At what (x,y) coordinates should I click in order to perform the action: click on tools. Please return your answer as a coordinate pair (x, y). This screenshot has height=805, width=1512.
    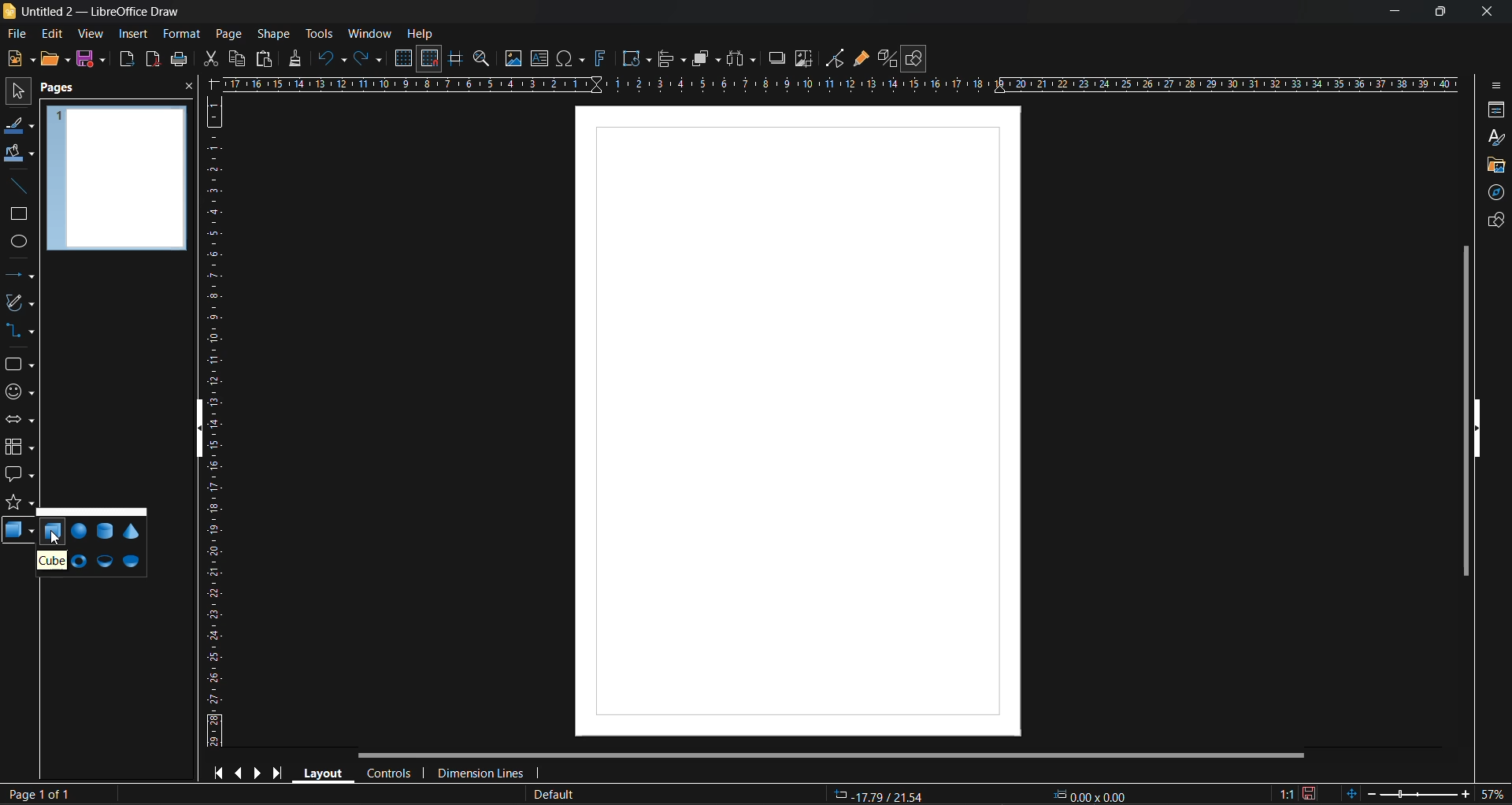
    Looking at the image, I should click on (319, 33).